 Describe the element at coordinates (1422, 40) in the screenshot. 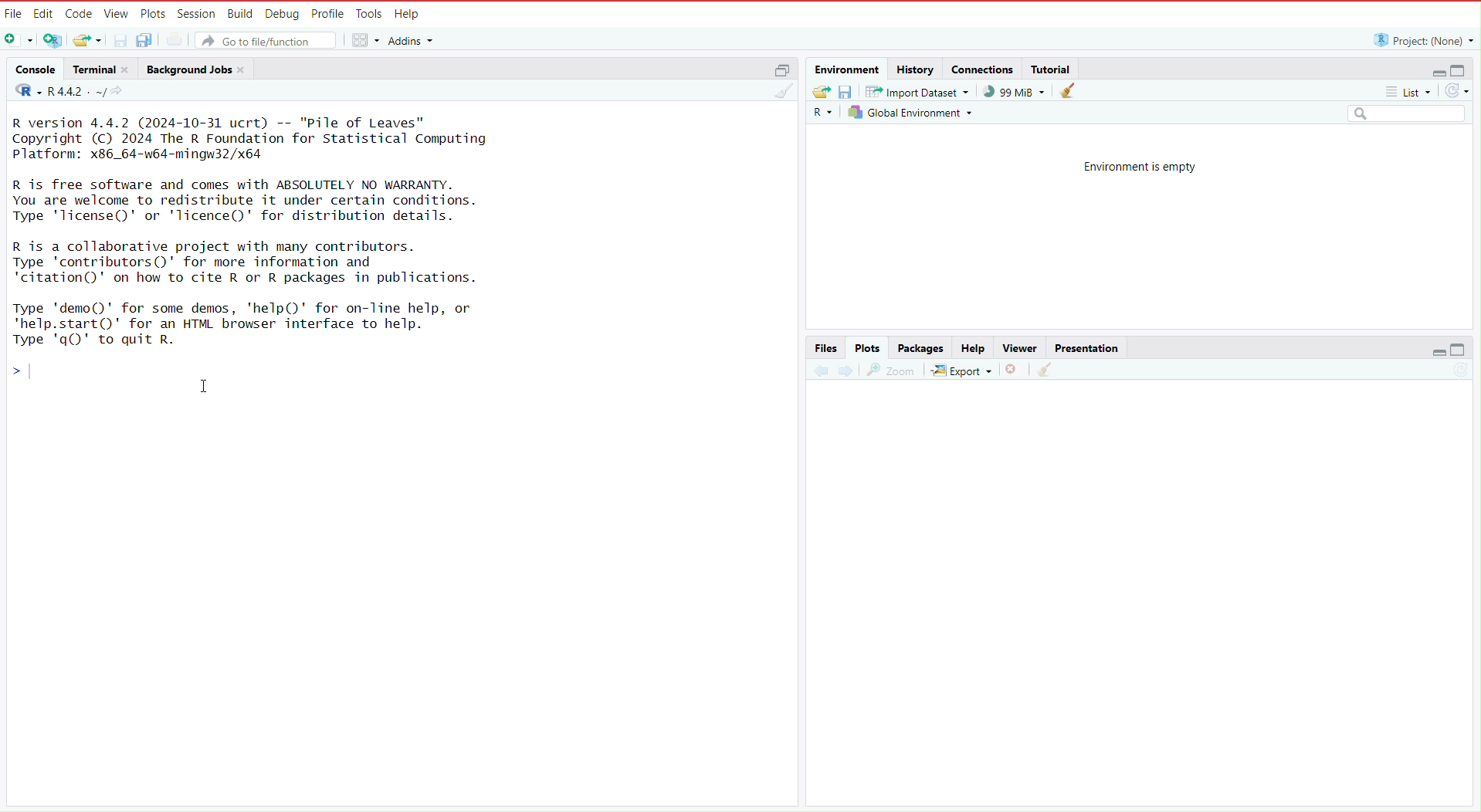

I see `project: (None)` at that location.